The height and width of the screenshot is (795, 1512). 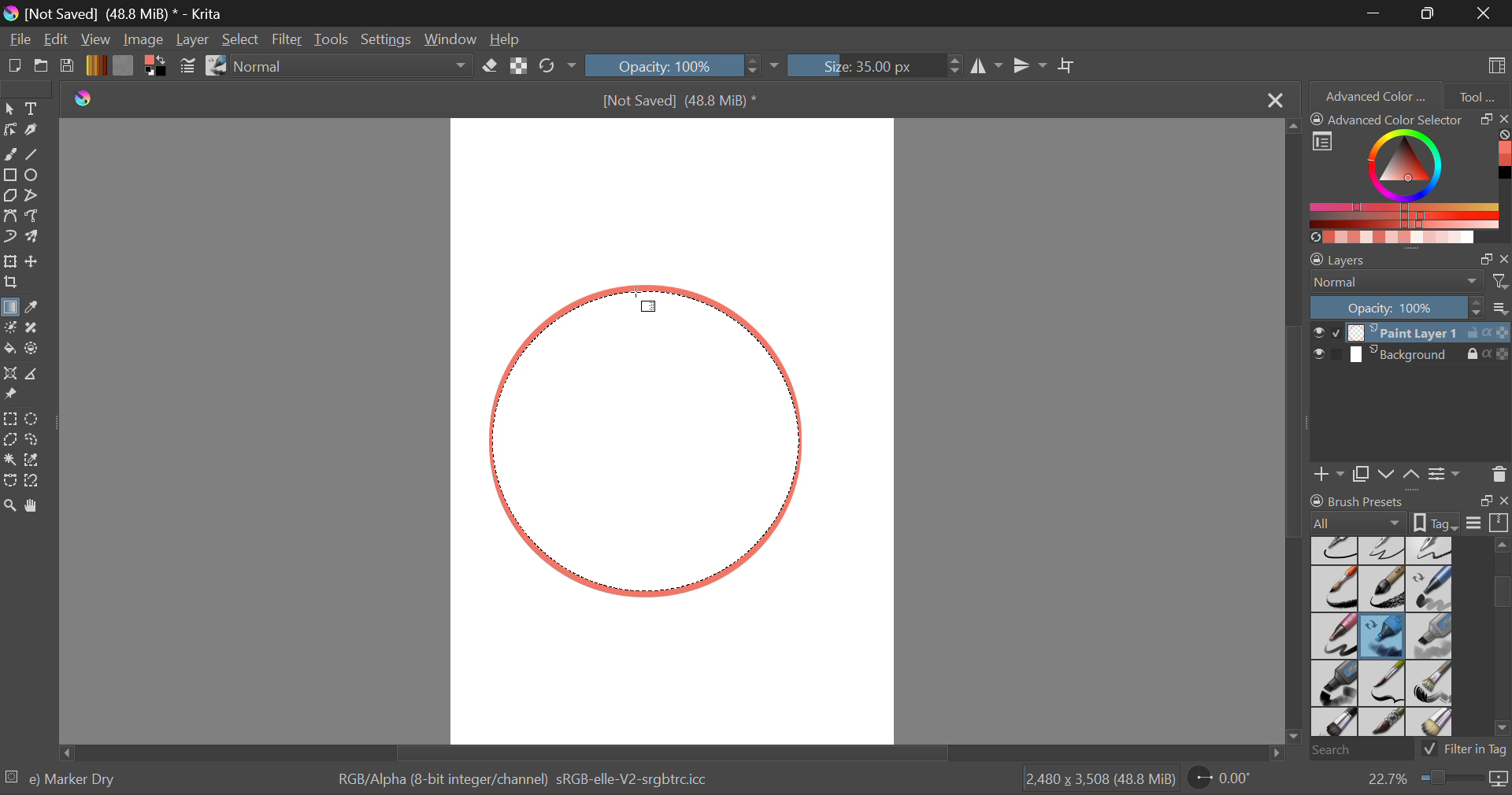 What do you see at coordinates (1432, 684) in the screenshot?
I see `Bristles-2 Flat Rough` at bounding box center [1432, 684].